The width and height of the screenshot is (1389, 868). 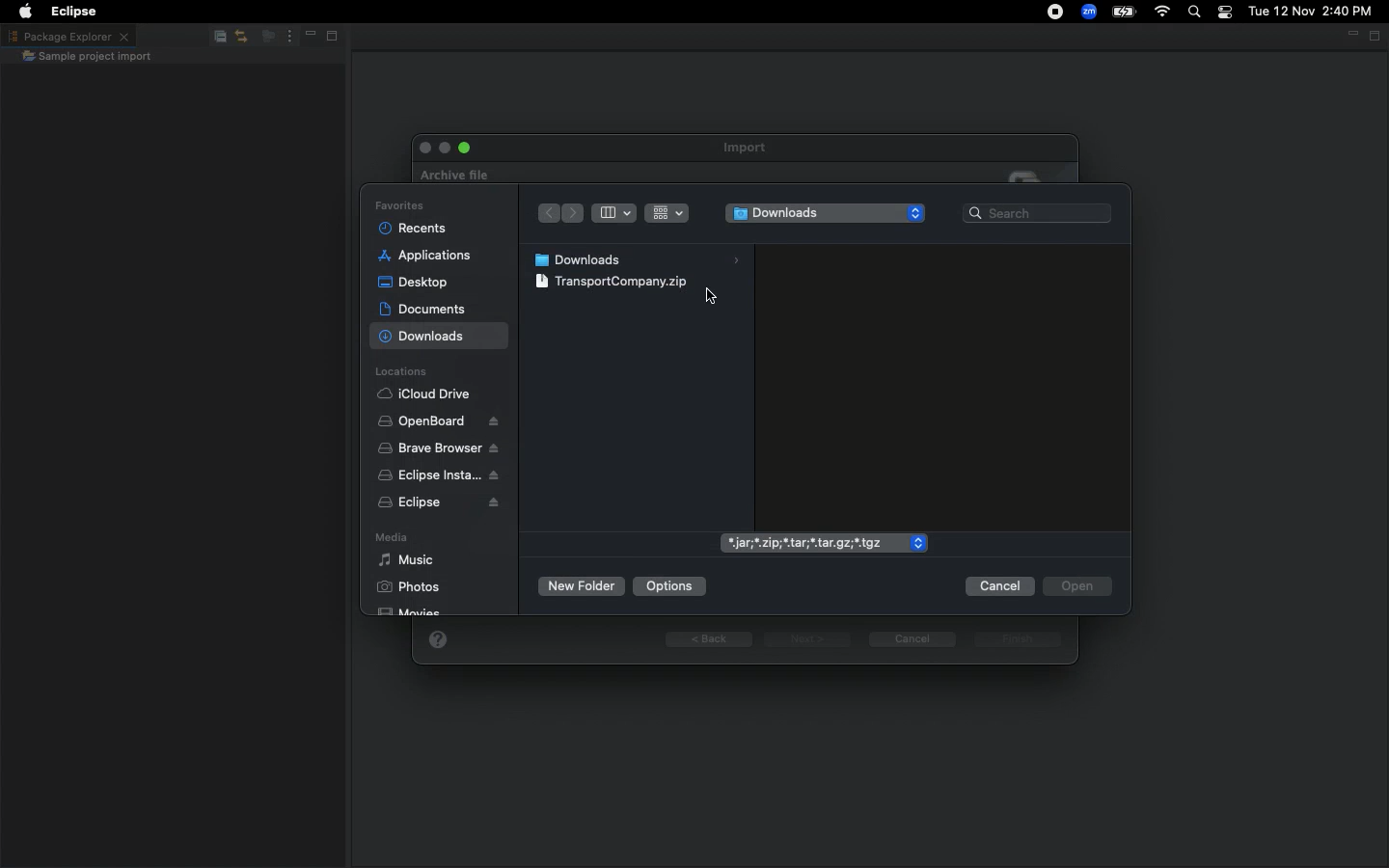 What do you see at coordinates (1047, 14) in the screenshot?
I see `Recording` at bounding box center [1047, 14].